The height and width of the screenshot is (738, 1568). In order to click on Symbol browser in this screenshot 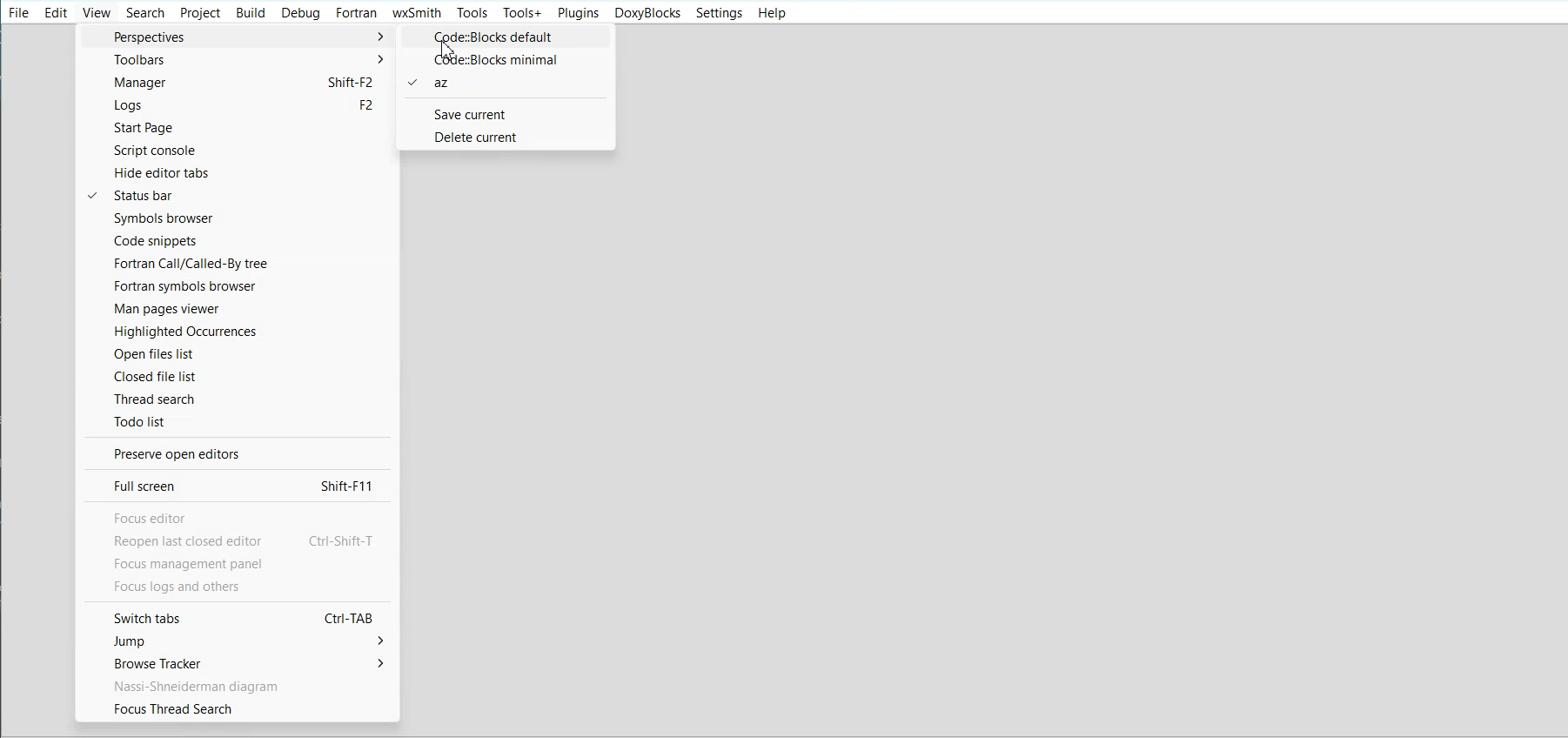, I will do `click(238, 218)`.